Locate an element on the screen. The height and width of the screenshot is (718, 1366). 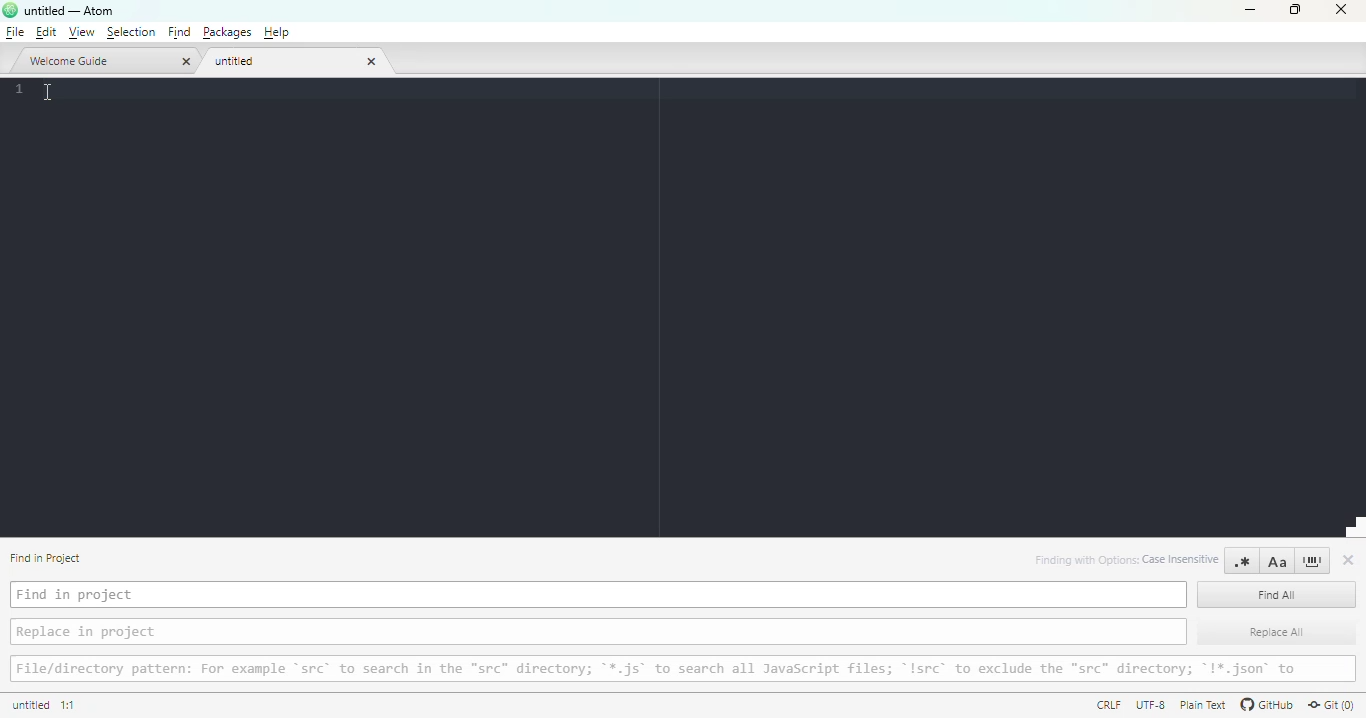
help is located at coordinates (277, 32).